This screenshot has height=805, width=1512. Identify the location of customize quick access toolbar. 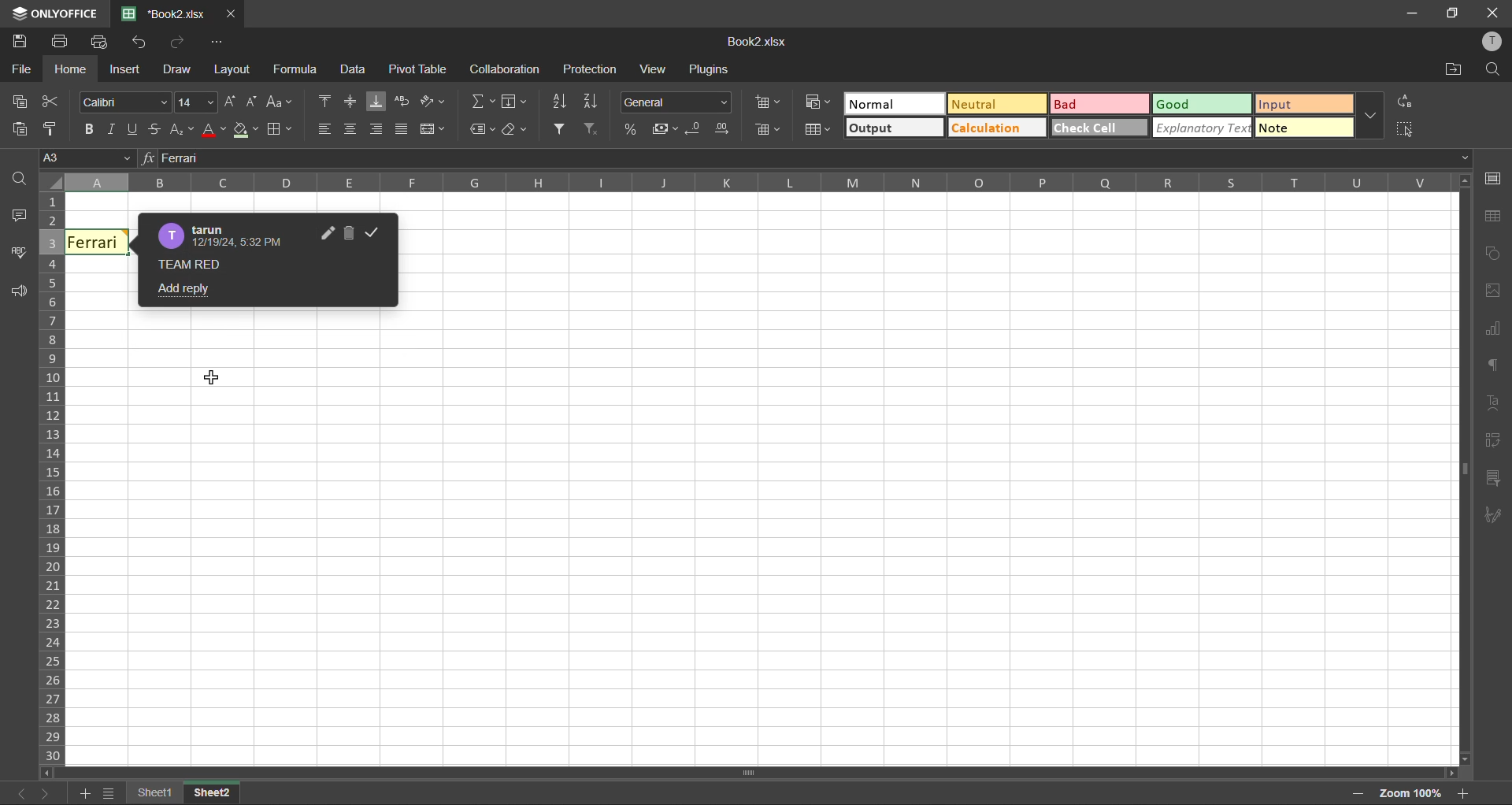
(224, 42).